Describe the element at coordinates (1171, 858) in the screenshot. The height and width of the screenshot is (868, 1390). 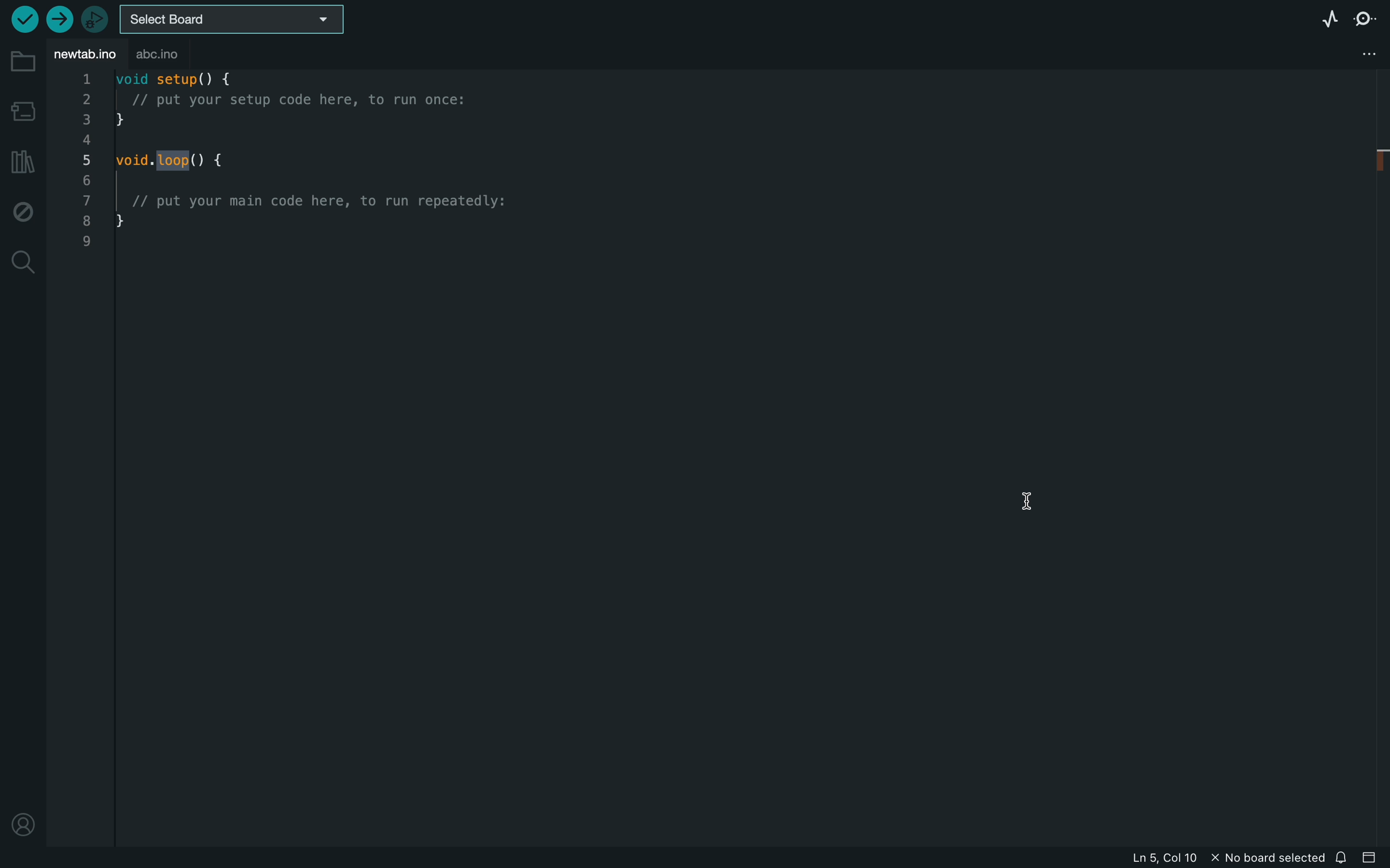
I see `file information` at that location.